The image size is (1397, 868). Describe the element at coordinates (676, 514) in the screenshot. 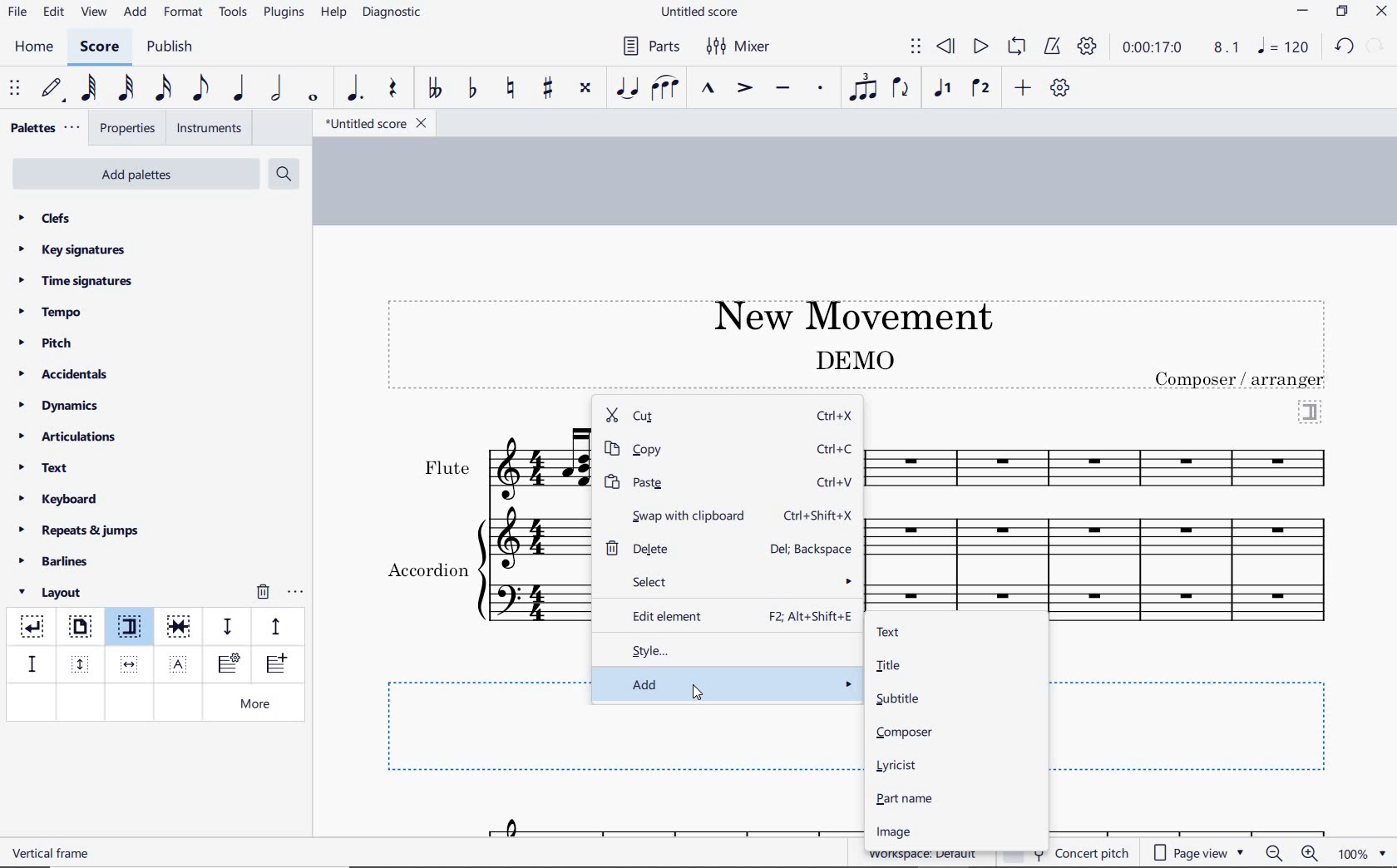

I see `swap with clipboard` at that location.